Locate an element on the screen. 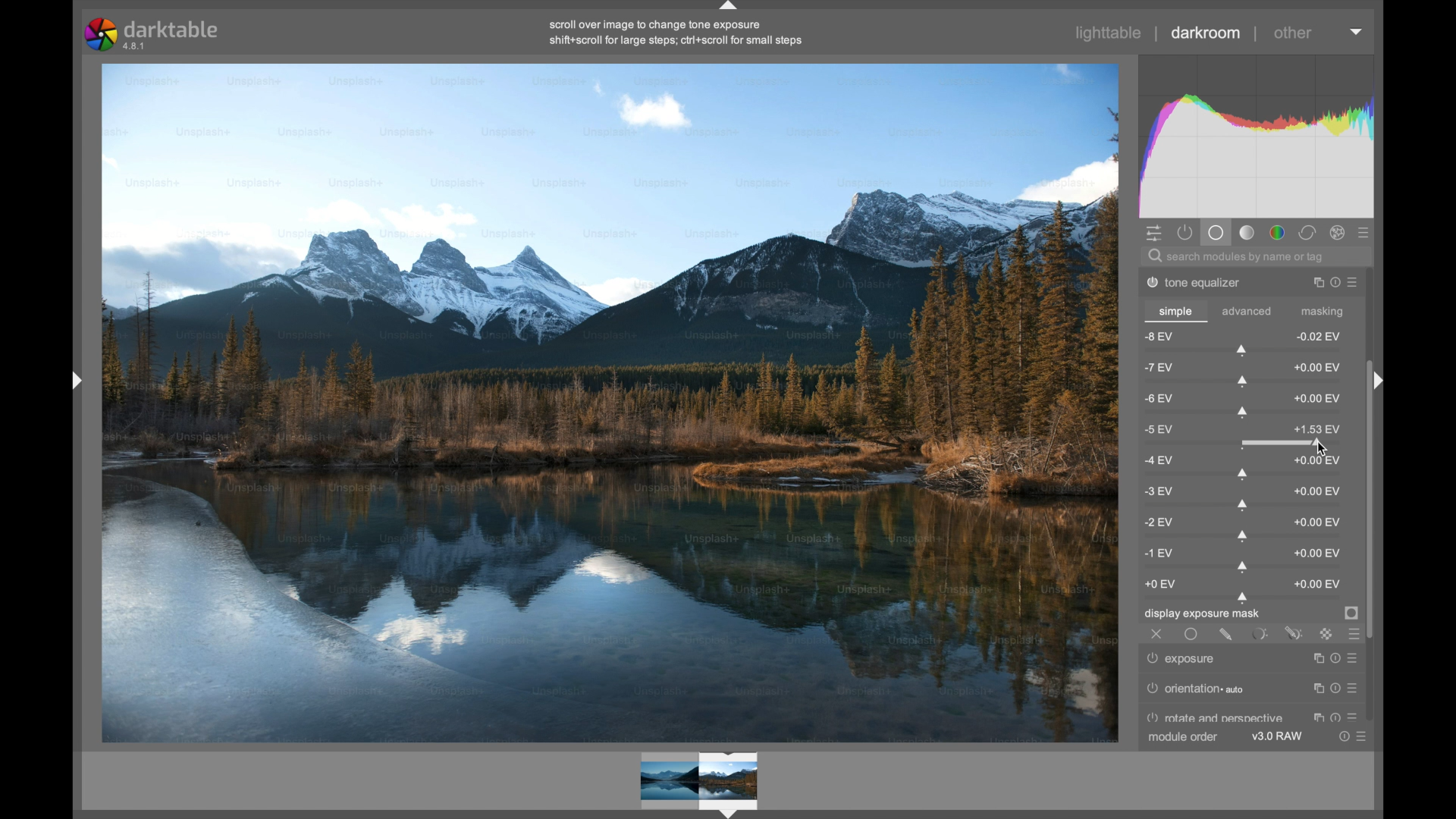 Image resolution: width=1456 pixels, height=819 pixels. effect is located at coordinates (1338, 233).